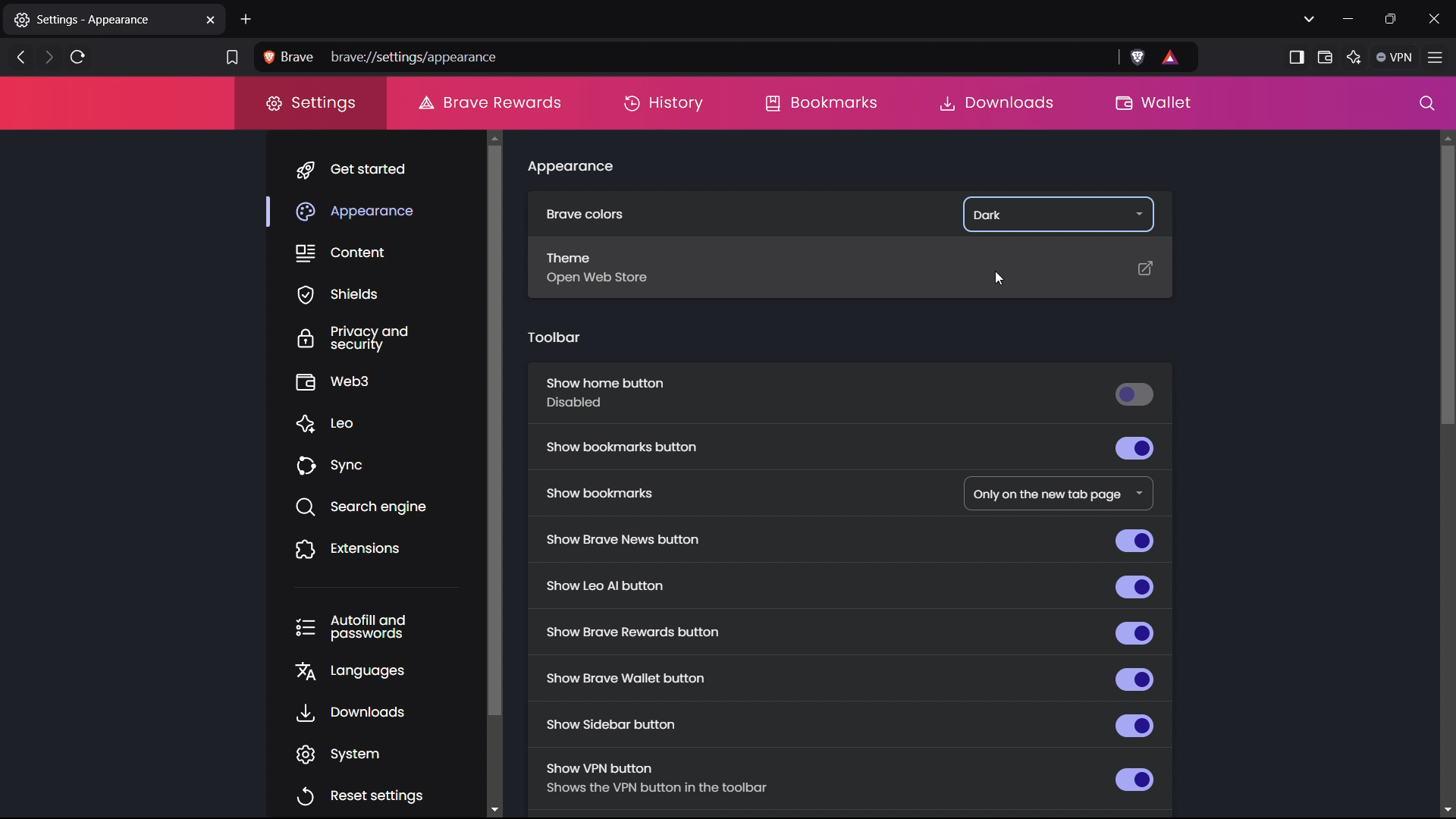 The height and width of the screenshot is (819, 1456). Describe the element at coordinates (1392, 19) in the screenshot. I see `maximize` at that location.